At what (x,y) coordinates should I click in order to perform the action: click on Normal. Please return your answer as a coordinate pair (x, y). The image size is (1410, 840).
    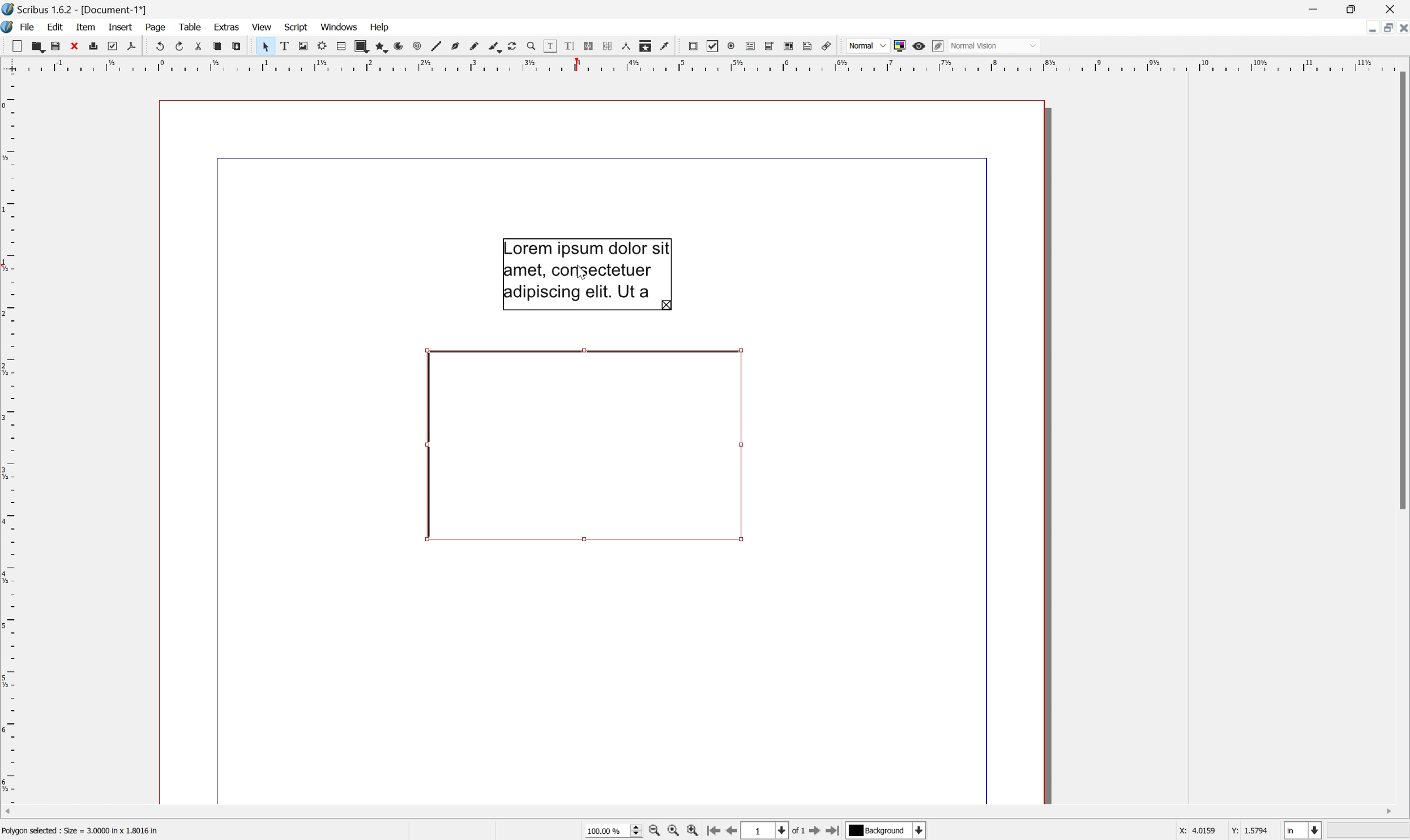
    Looking at the image, I should click on (866, 44).